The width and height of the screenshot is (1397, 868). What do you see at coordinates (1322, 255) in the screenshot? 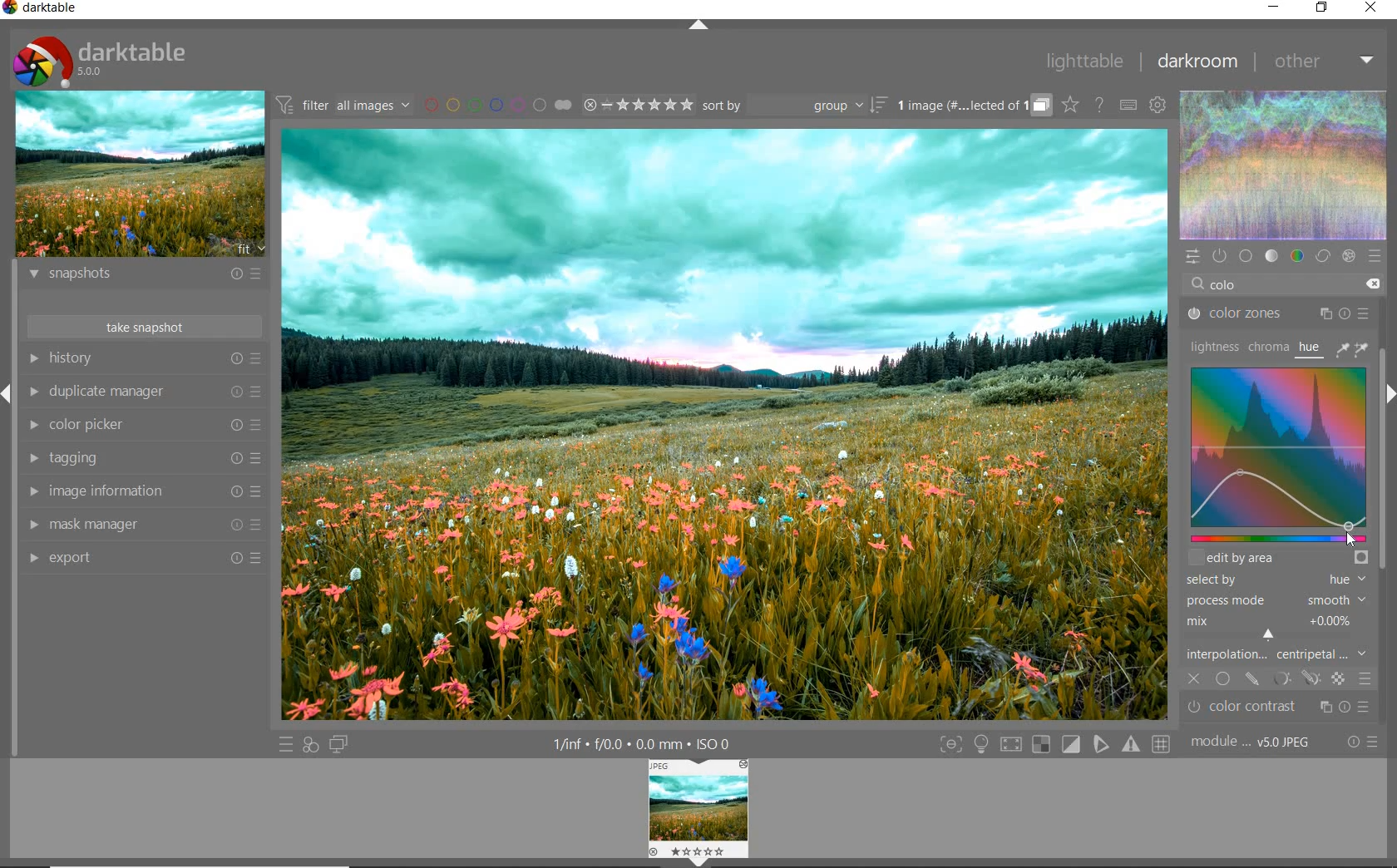
I see `correct` at bounding box center [1322, 255].